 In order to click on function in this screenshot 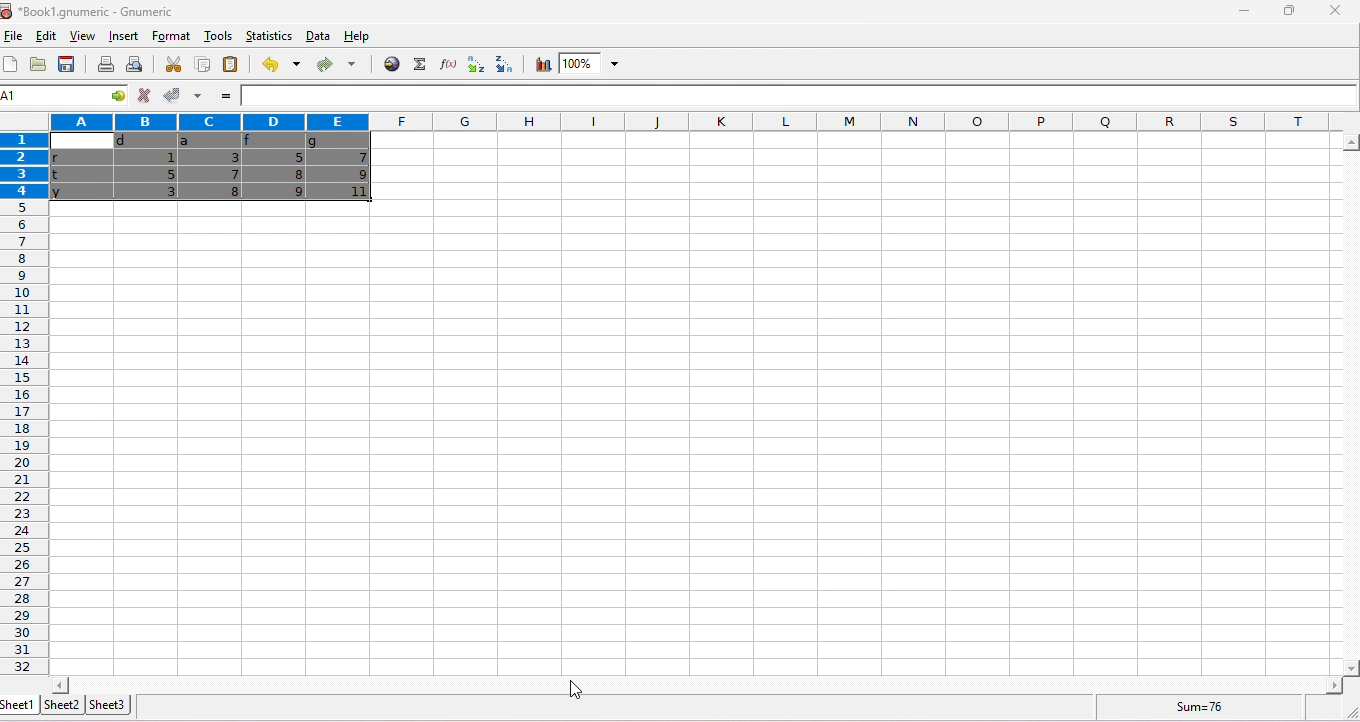, I will do `click(417, 64)`.